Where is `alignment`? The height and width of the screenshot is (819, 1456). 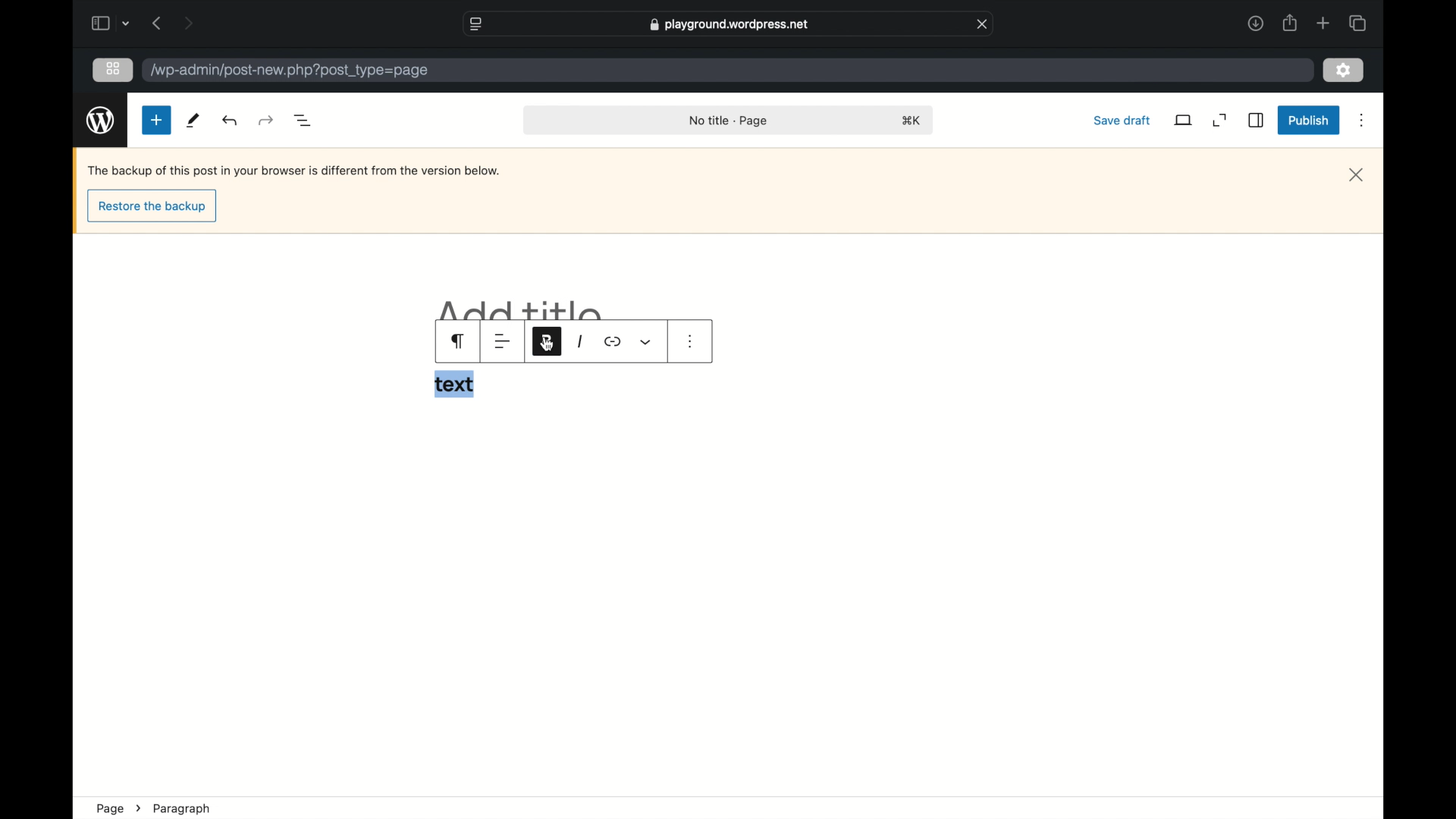
alignment is located at coordinates (502, 342).